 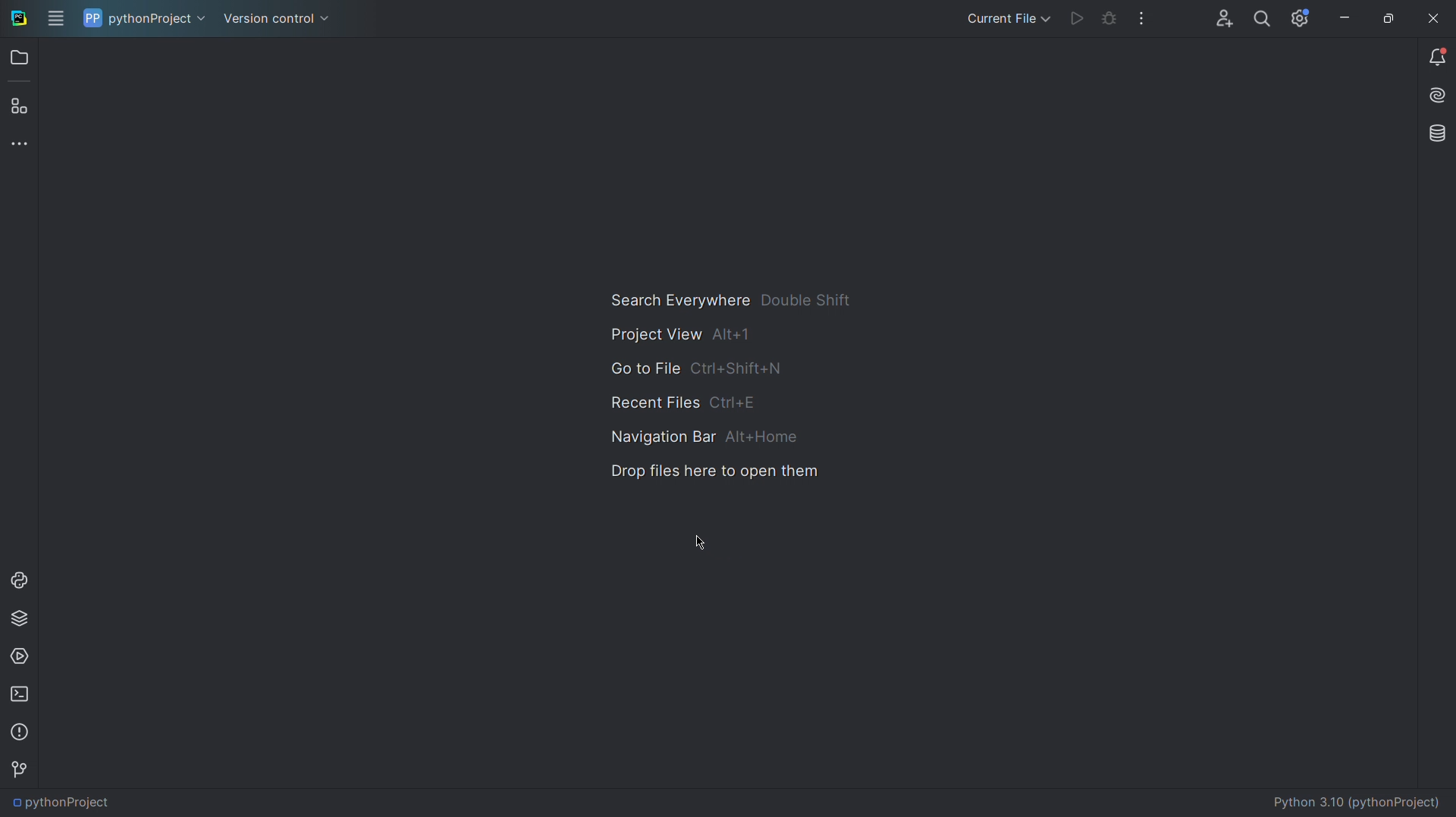 What do you see at coordinates (739, 369) in the screenshot?
I see `Go to File Ctrl+Shift+N` at bounding box center [739, 369].